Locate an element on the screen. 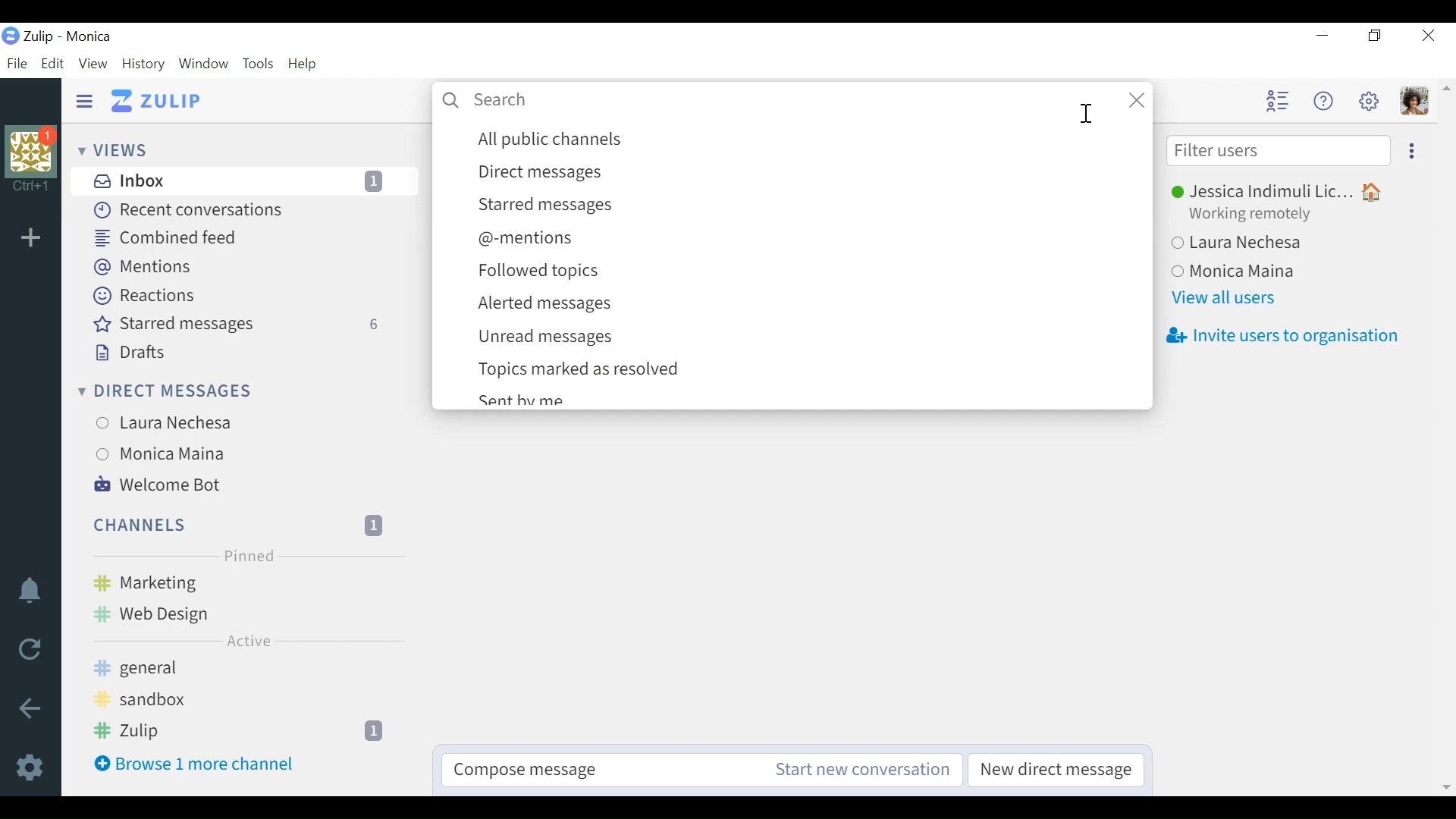  shortcut information is located at coordinates (30, 184).